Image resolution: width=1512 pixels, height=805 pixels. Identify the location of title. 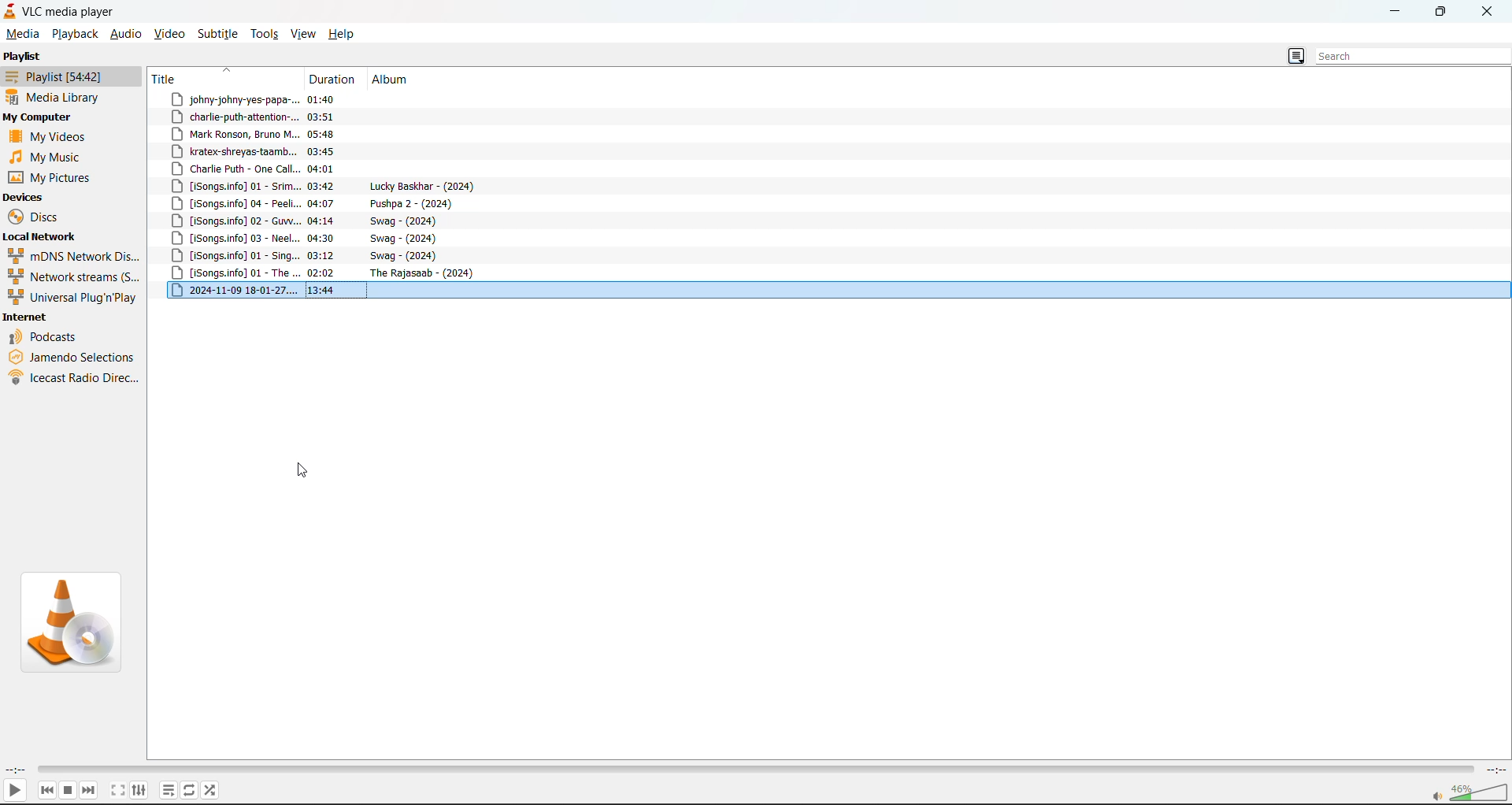
(170, 79).